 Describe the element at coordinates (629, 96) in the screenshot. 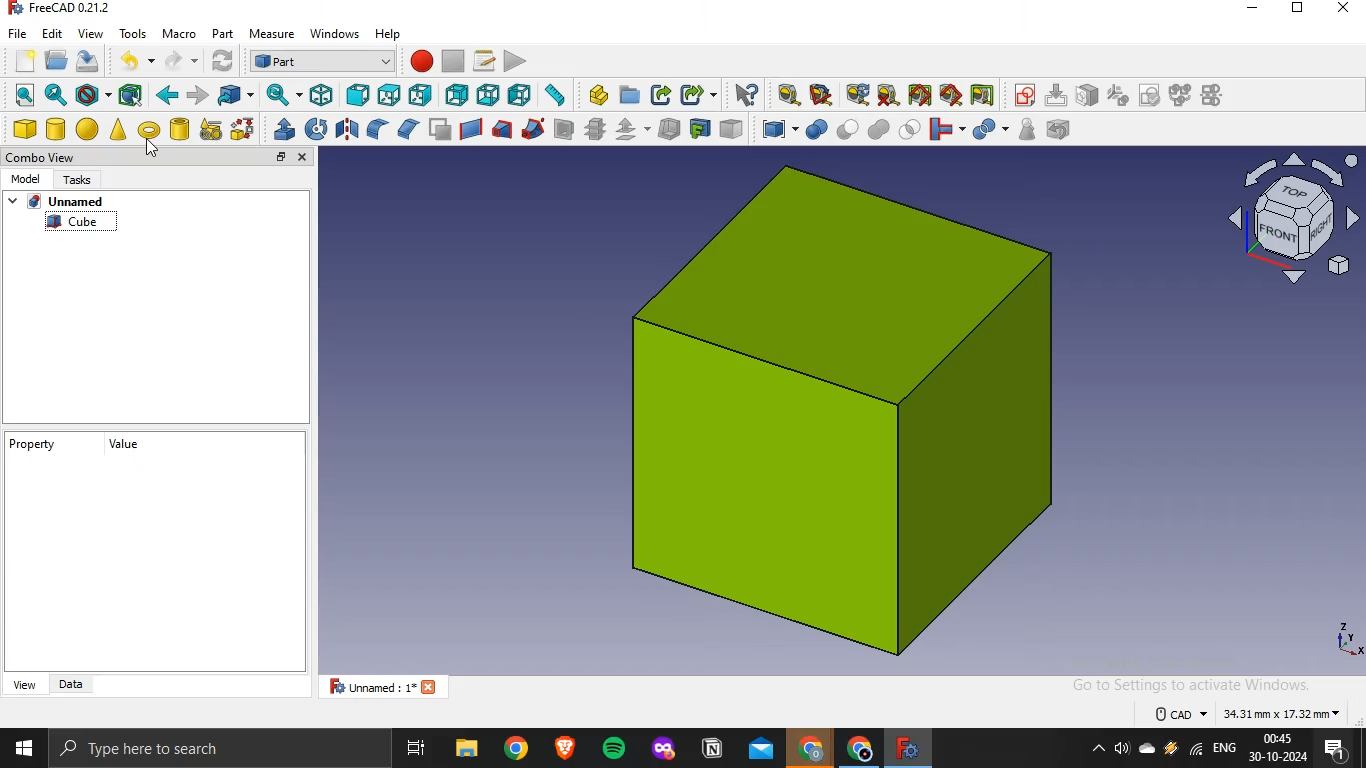

I see `create folder` at that location.